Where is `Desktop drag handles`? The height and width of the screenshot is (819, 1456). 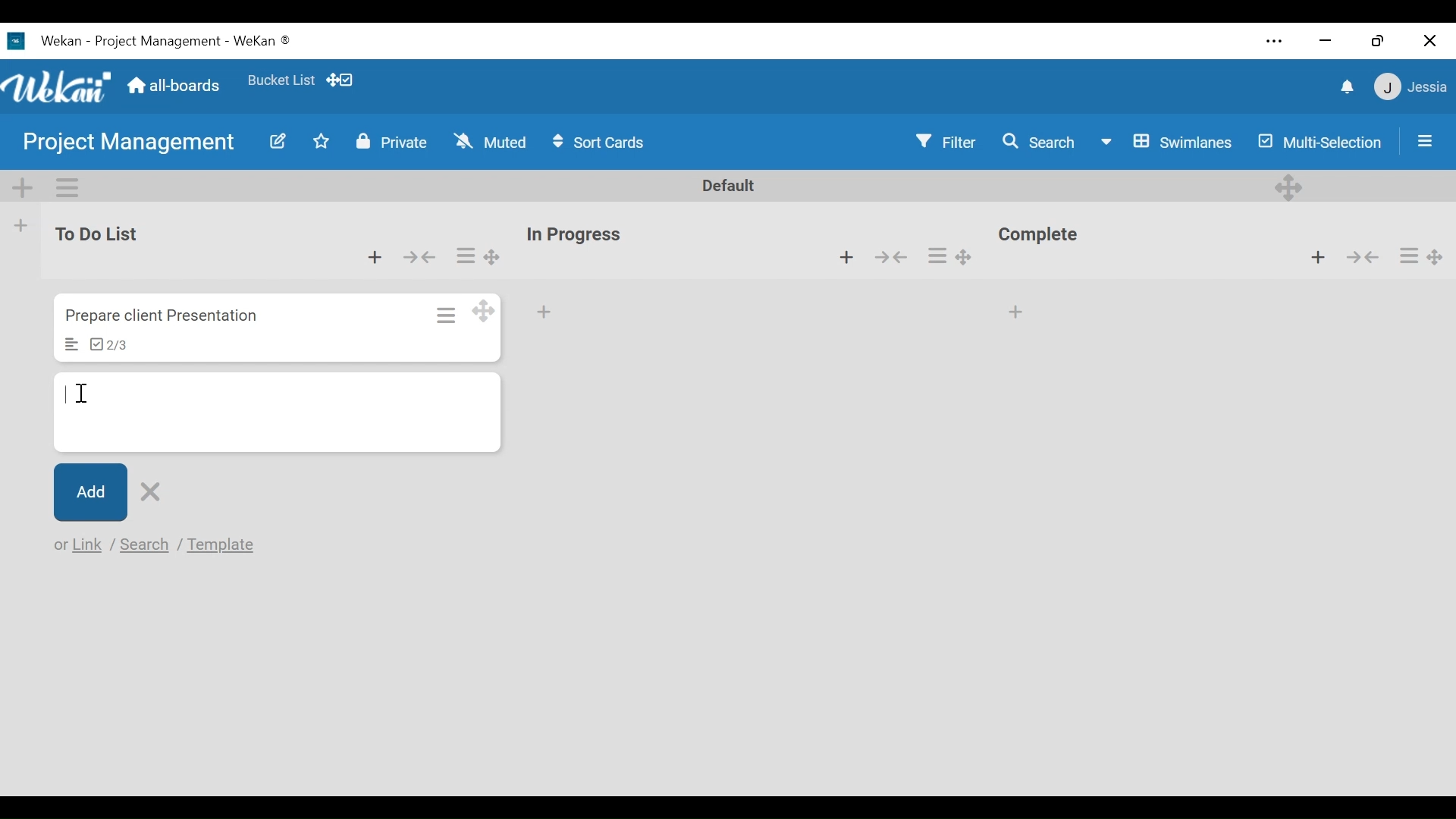
Desktop drag handles is located at coordinates (1291, 186).